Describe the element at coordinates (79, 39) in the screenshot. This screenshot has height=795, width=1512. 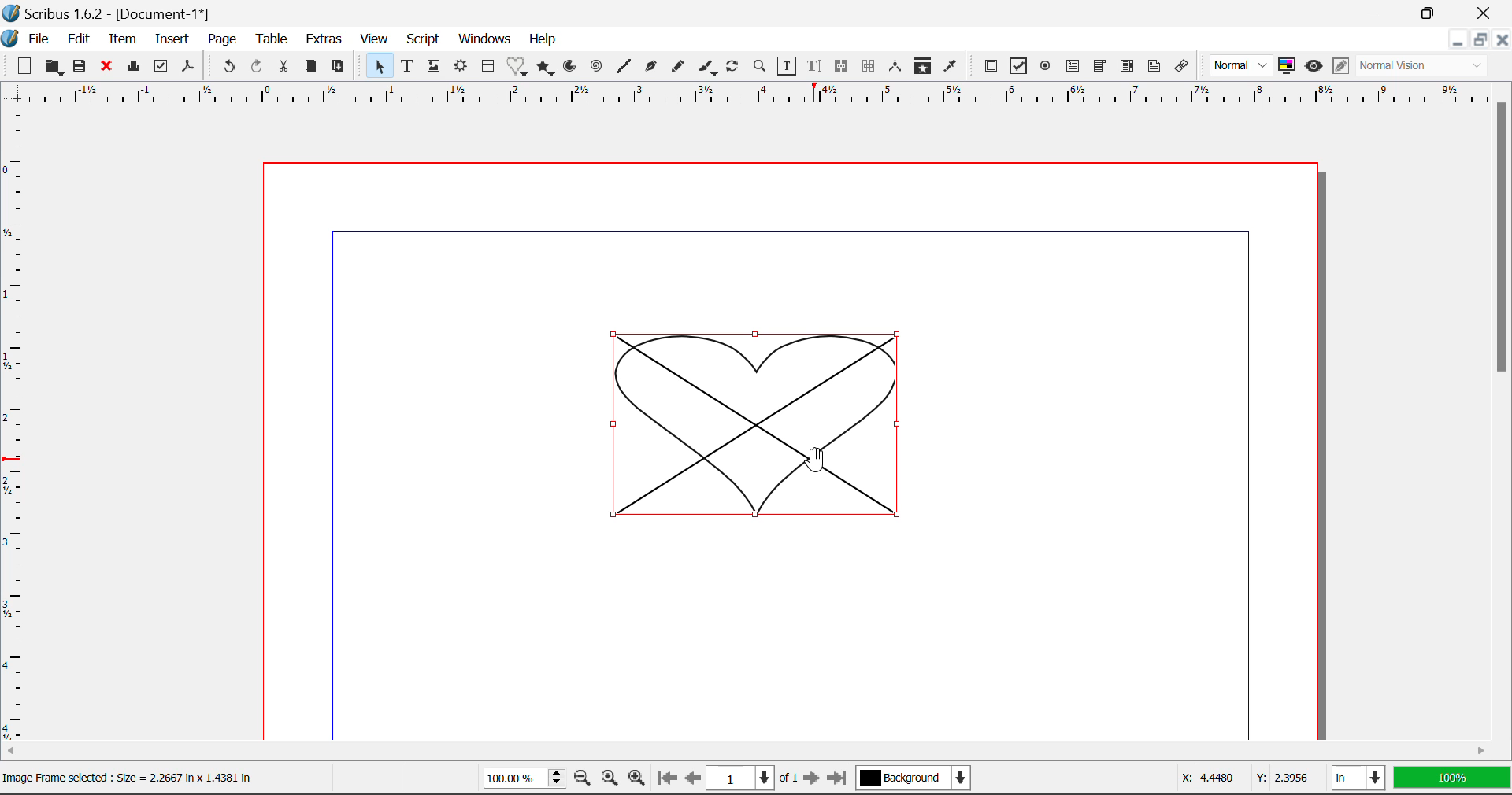
I see `Edit` at that location.